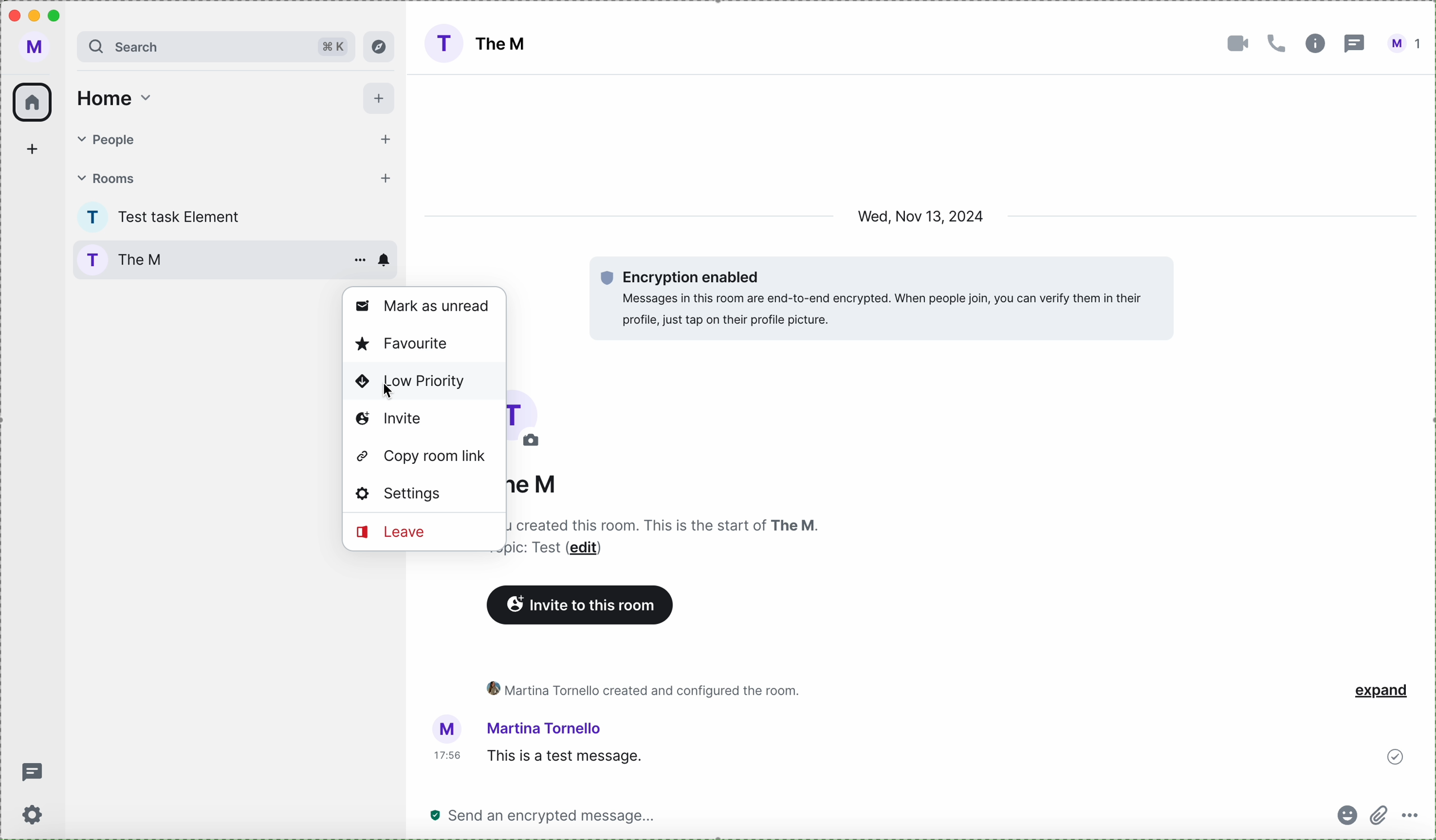 The width and height of the screenshot is (1436, 840). Describe the element at coordinates (1316, 44) in the screenshot. I see `information room` at that location.